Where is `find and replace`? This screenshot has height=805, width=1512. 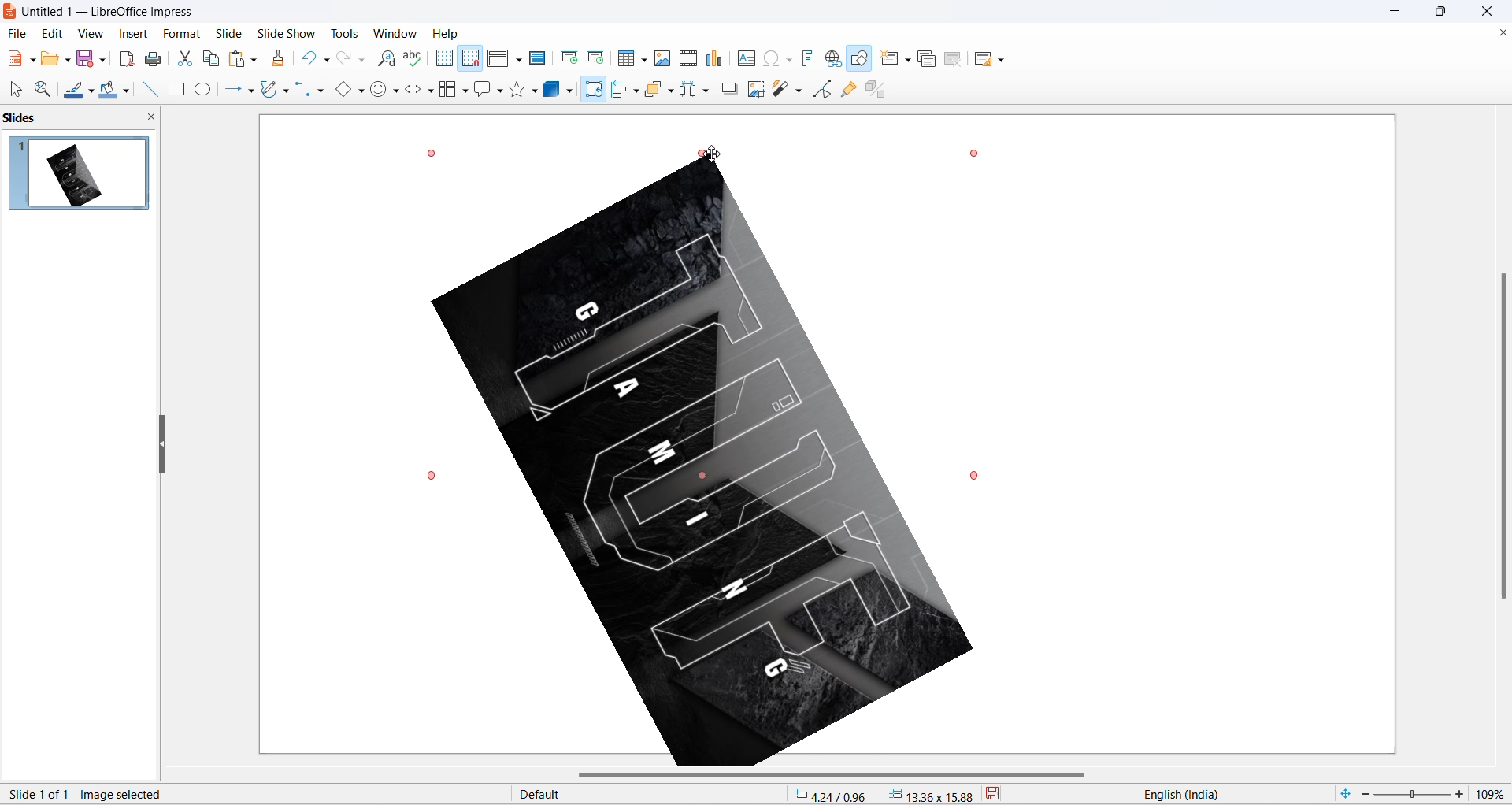 find and replace is located at coordinates (389, 59).